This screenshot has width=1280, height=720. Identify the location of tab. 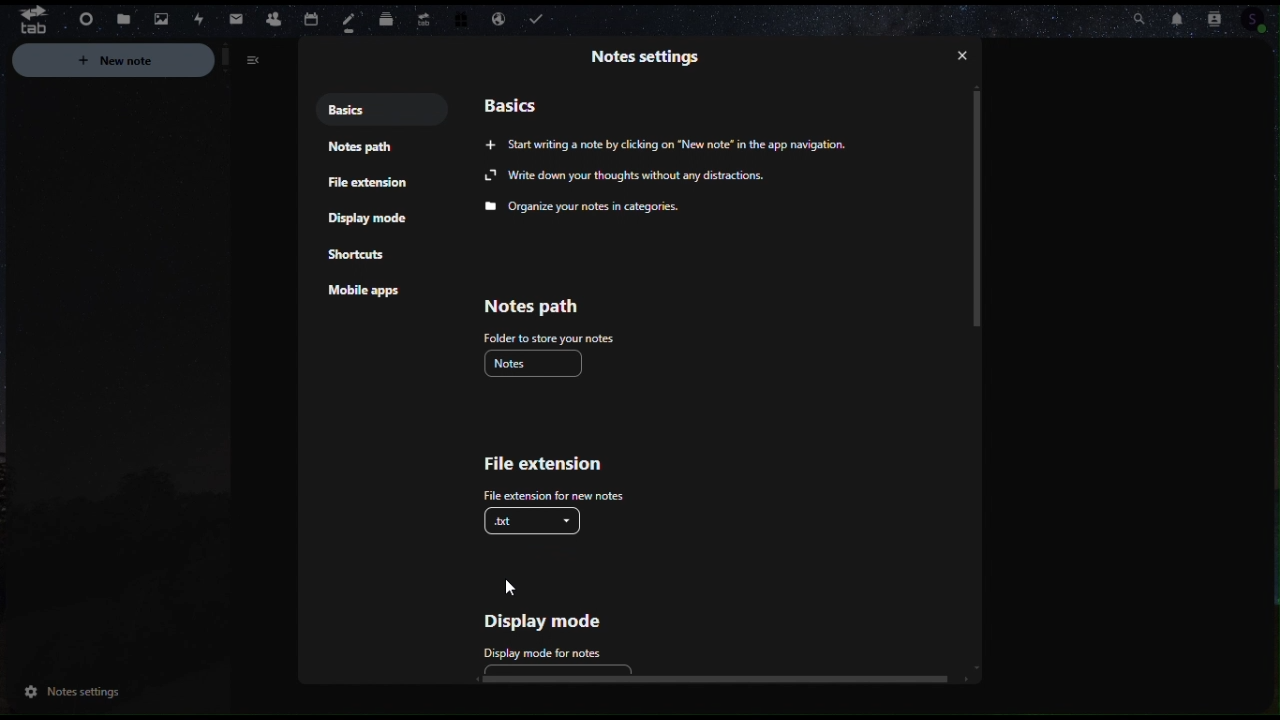
(26, 19).